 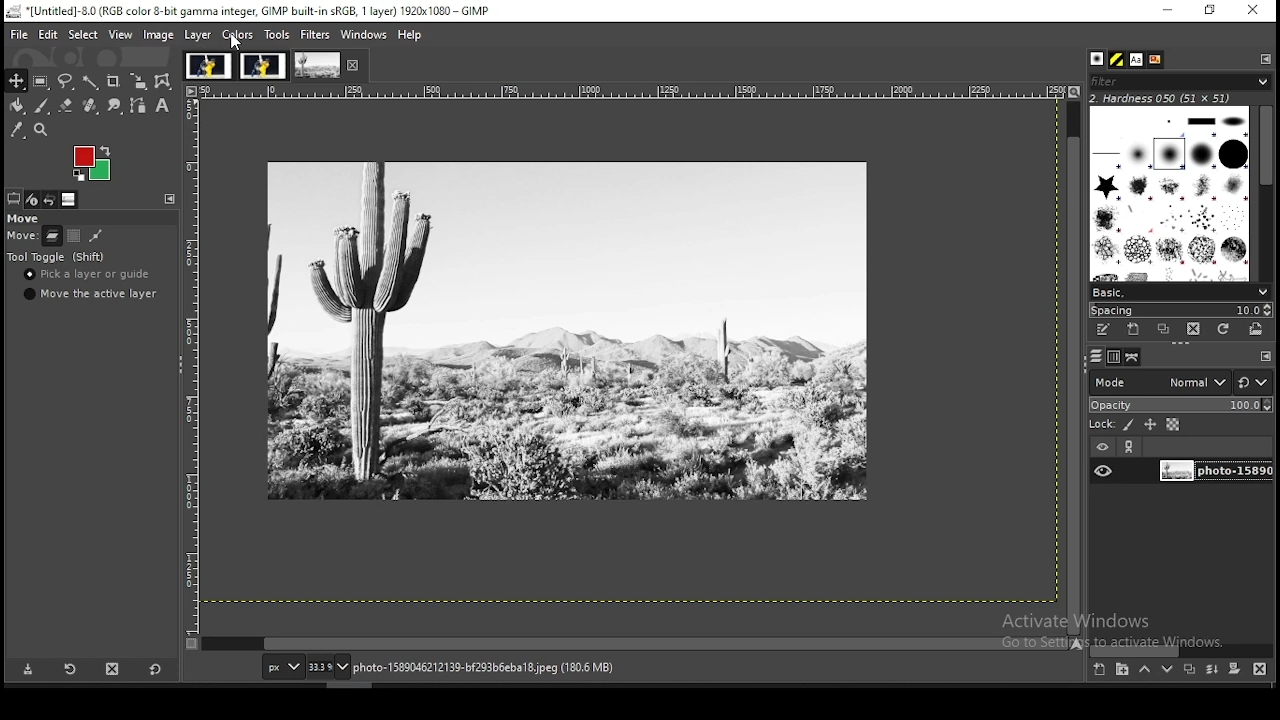 What do you see at coordinates (329, 666) in the screenshot?
I see `zoom level` at bounding box center [329, 666].